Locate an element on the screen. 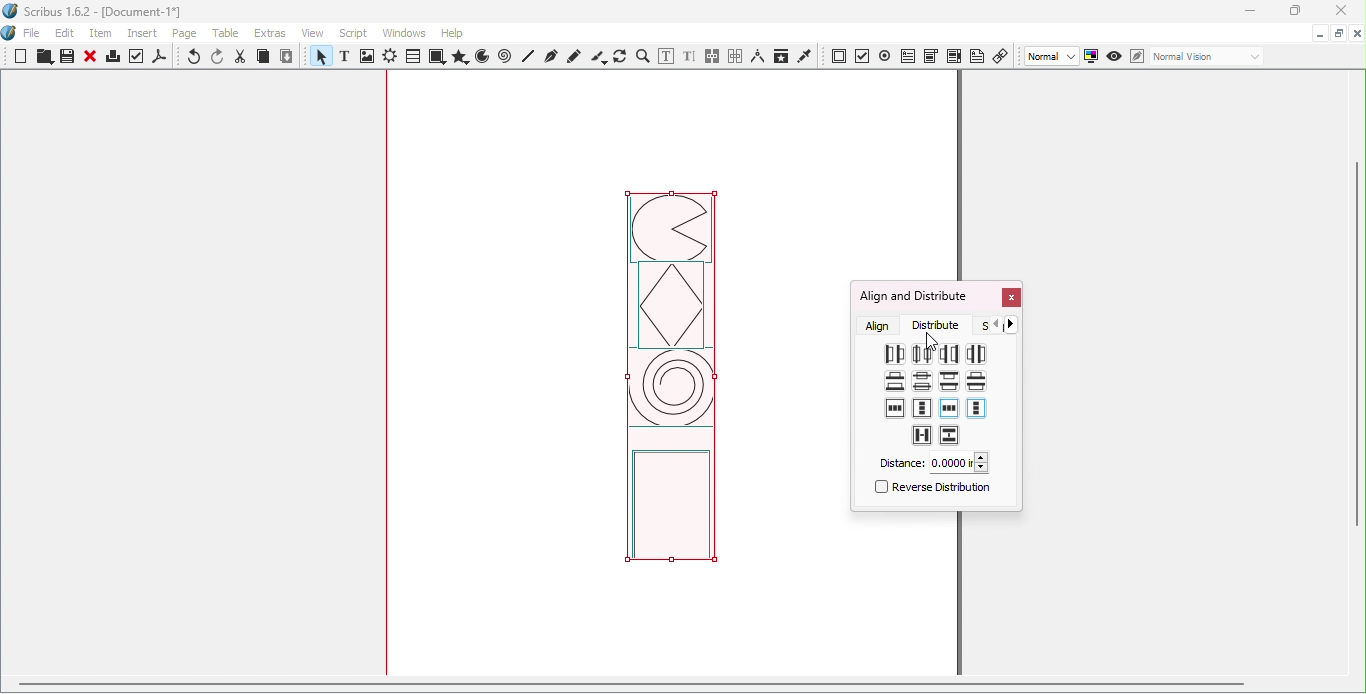 Image resolution: width=1366 pixels, height=694 pixels. Bezier curve tool is located at coordinates (550, 56).